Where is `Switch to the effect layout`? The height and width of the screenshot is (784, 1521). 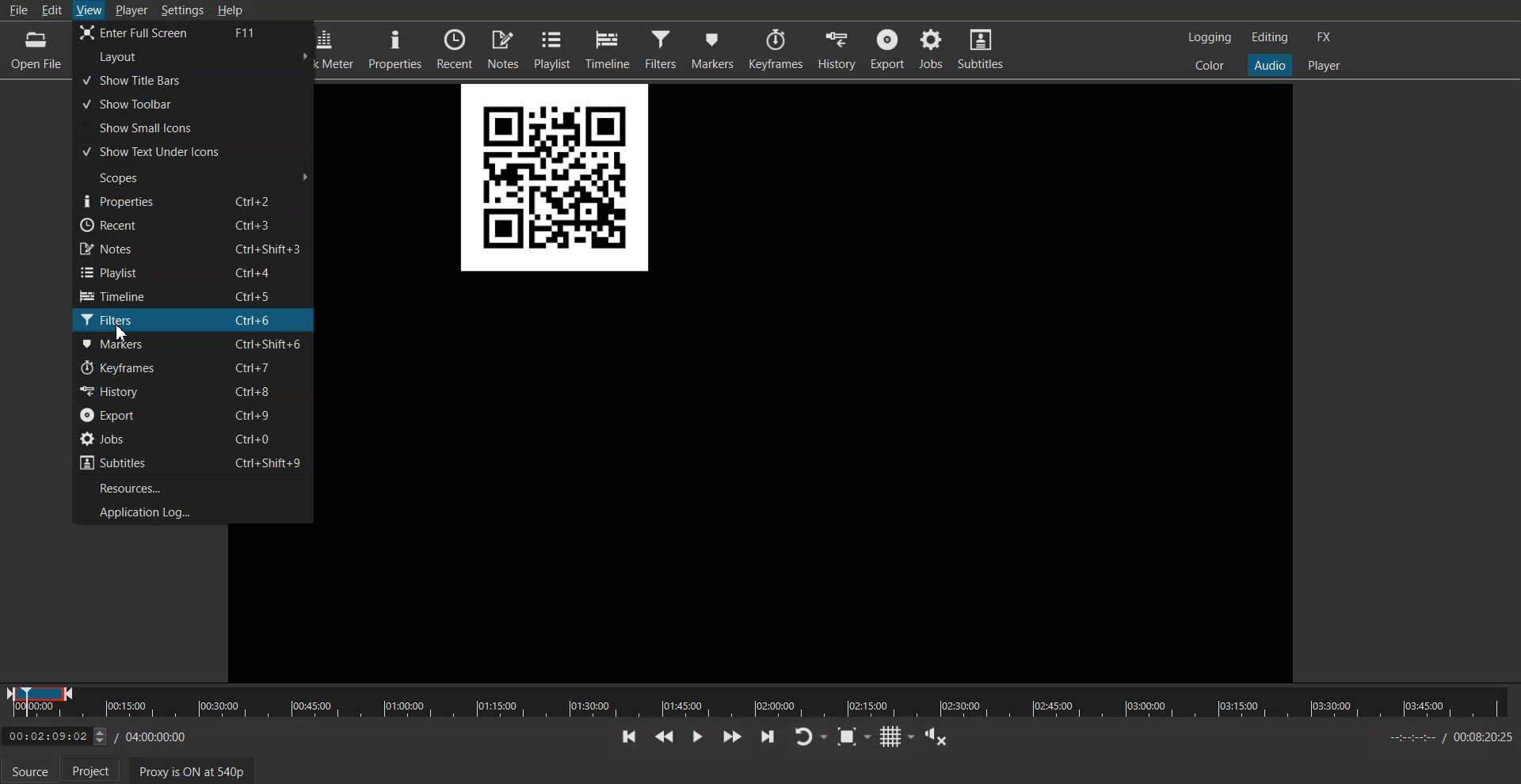 Switch to the effect layout is located at coordinates (1325, 37).